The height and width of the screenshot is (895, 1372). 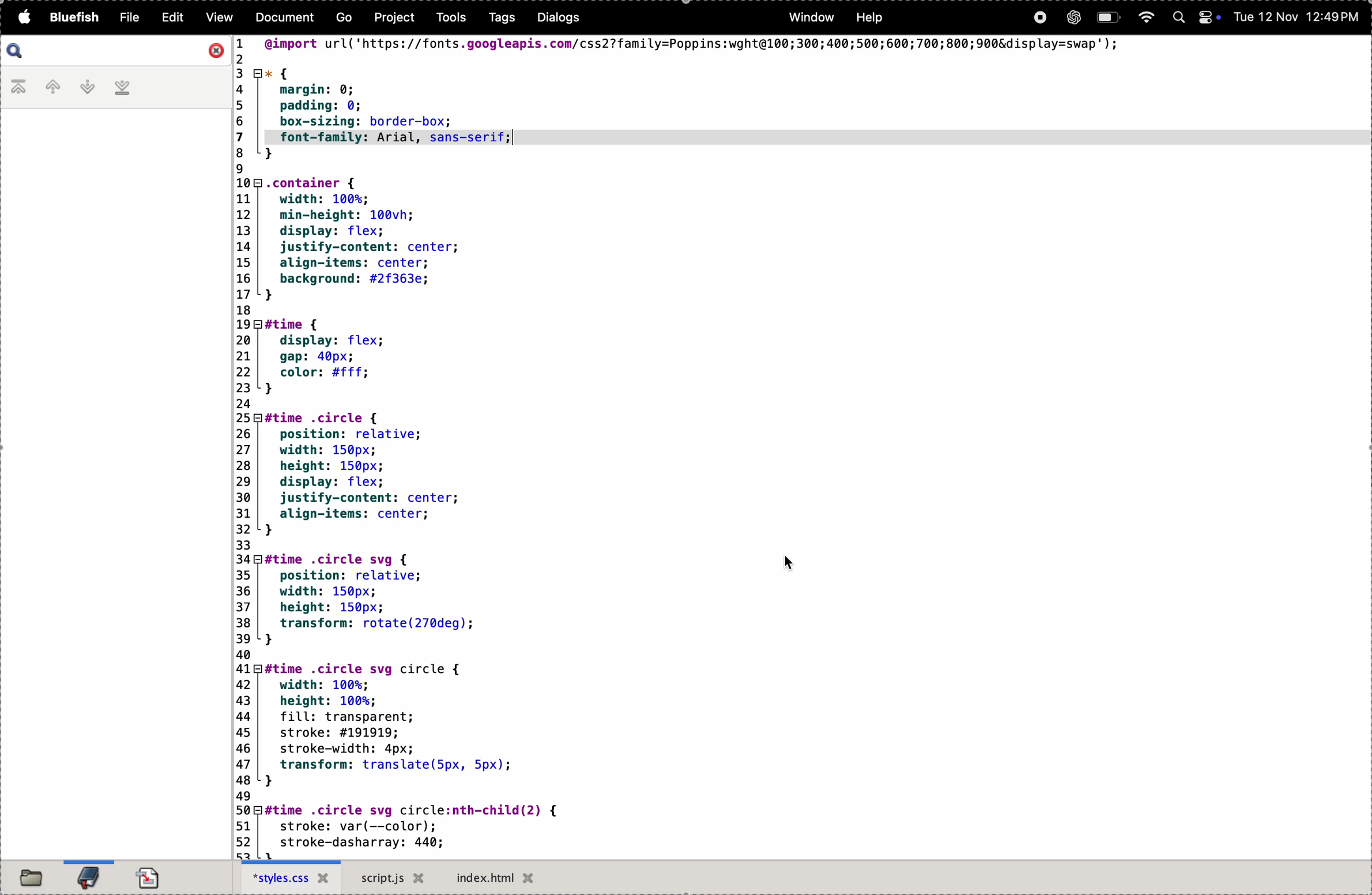 I want to click on style.css, so click(x=290, y=879).